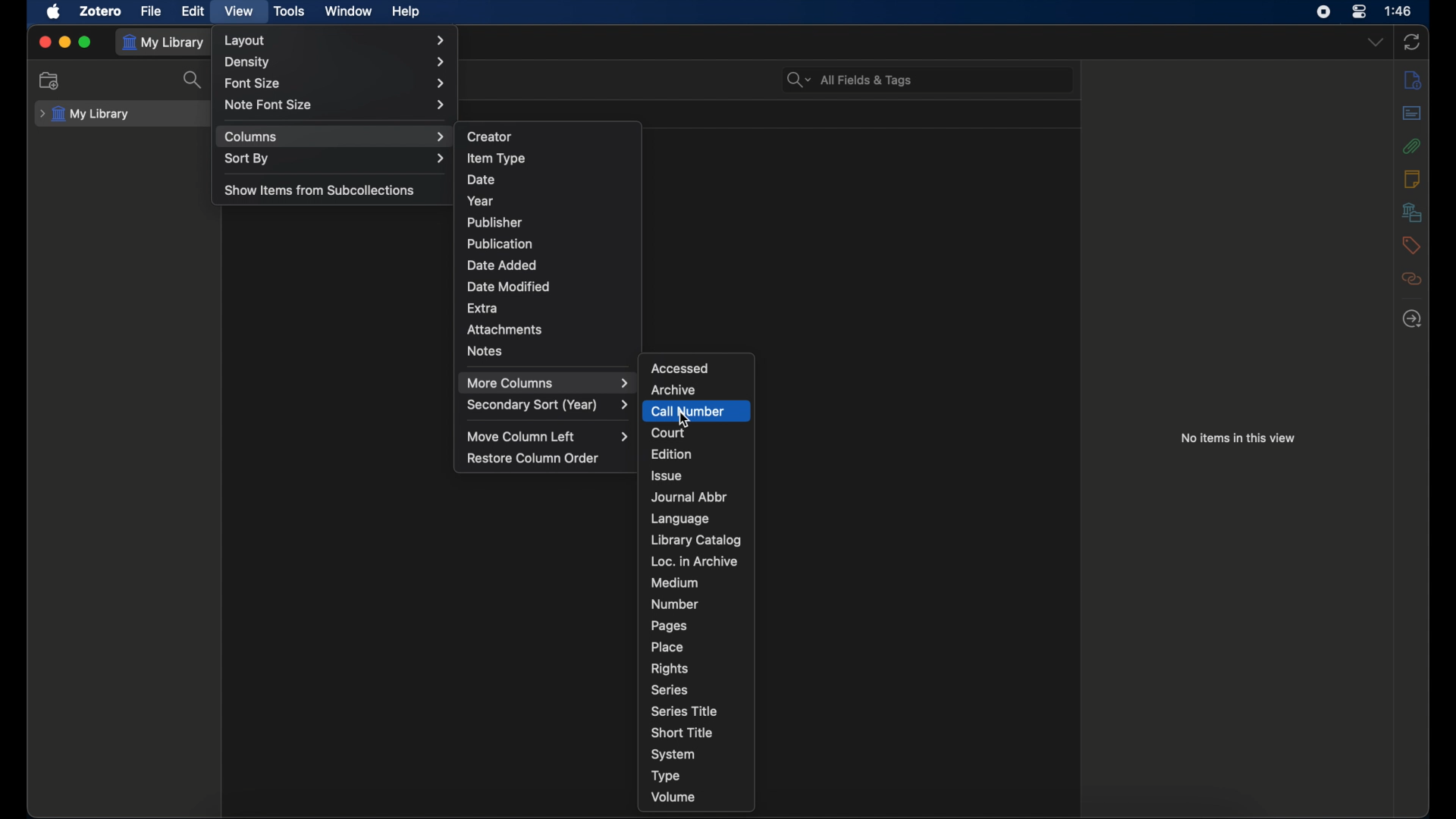 Image resolution: width=1456 pixels, height=819 pixels. Describe the element at coordinates (49, 80) in the screenshot. I see `new collection` at that location.